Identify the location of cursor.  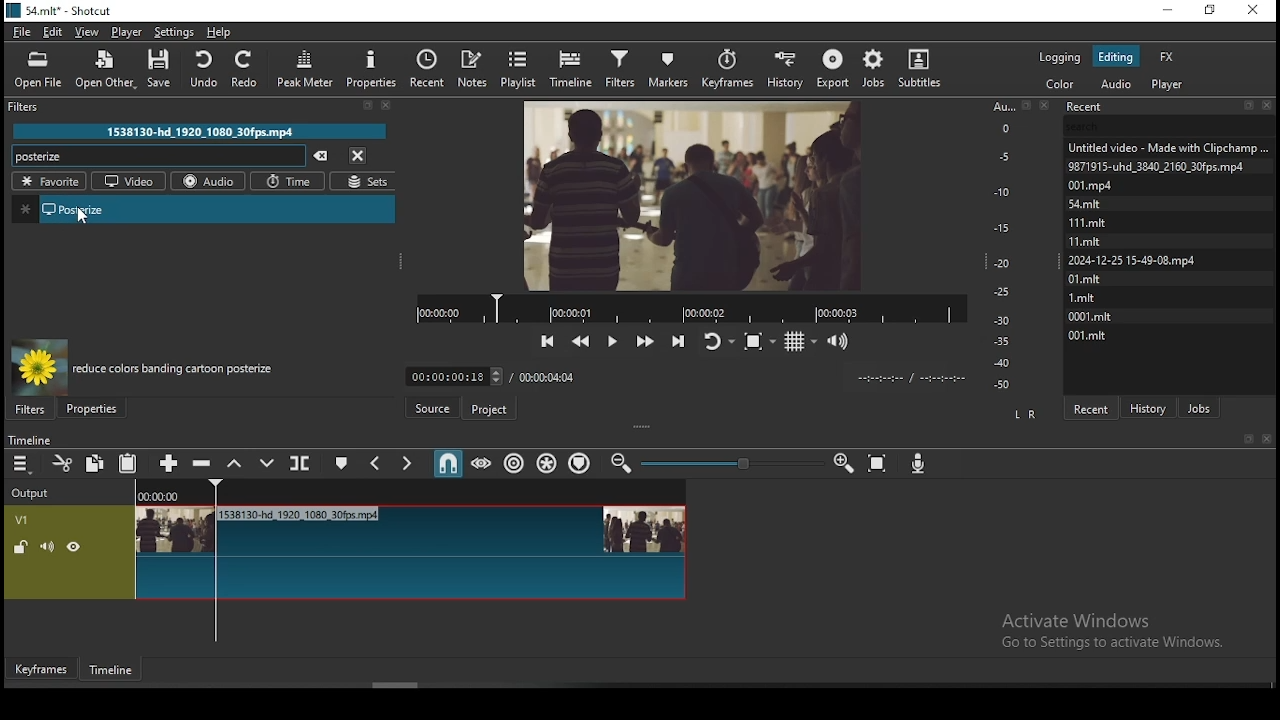
(83, 216).